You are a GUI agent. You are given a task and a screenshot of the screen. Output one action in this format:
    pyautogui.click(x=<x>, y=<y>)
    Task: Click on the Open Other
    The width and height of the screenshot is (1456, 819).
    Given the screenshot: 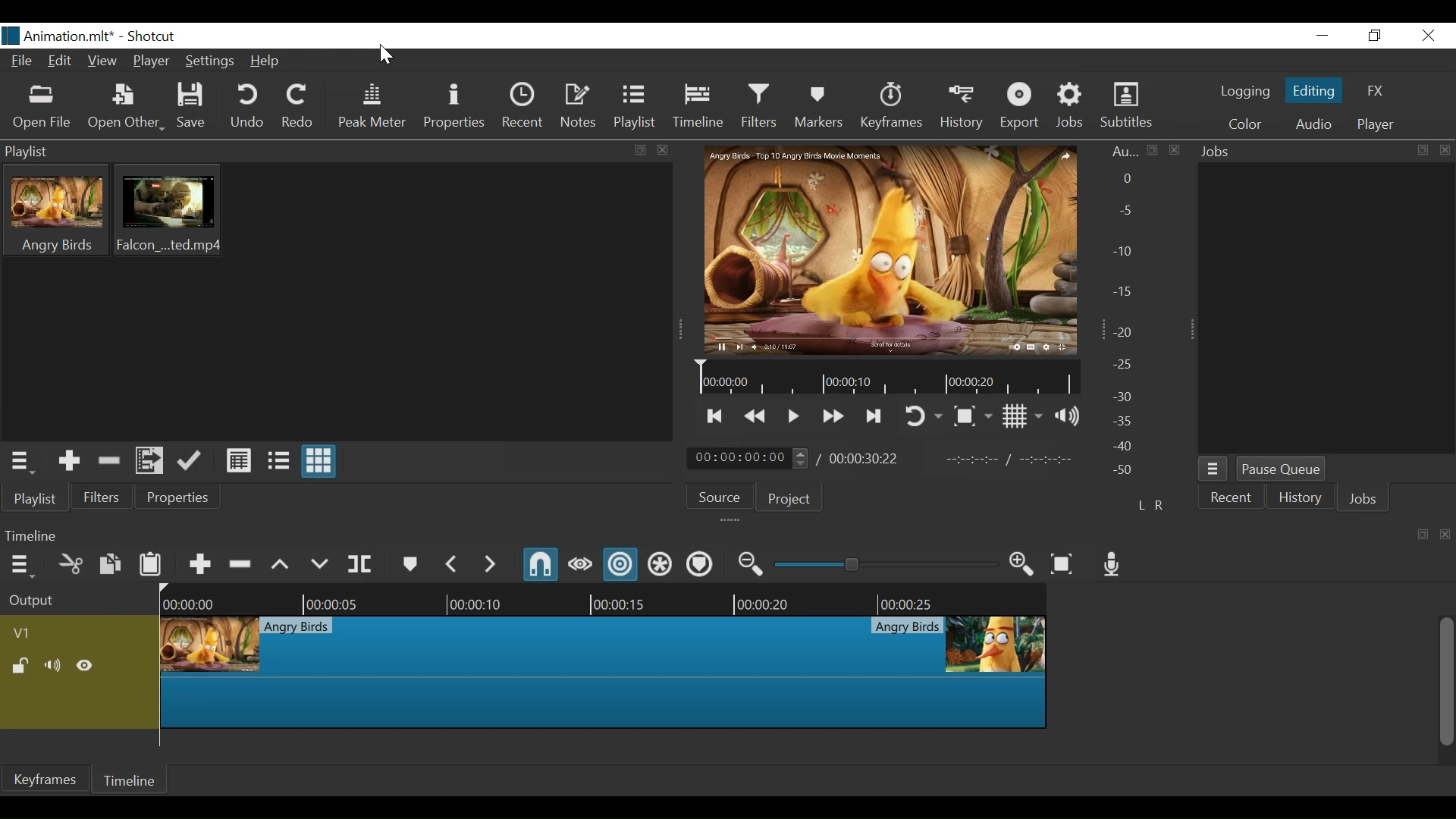 What is the action you would take?
    pyautogui.click(x=125, y=108)
    